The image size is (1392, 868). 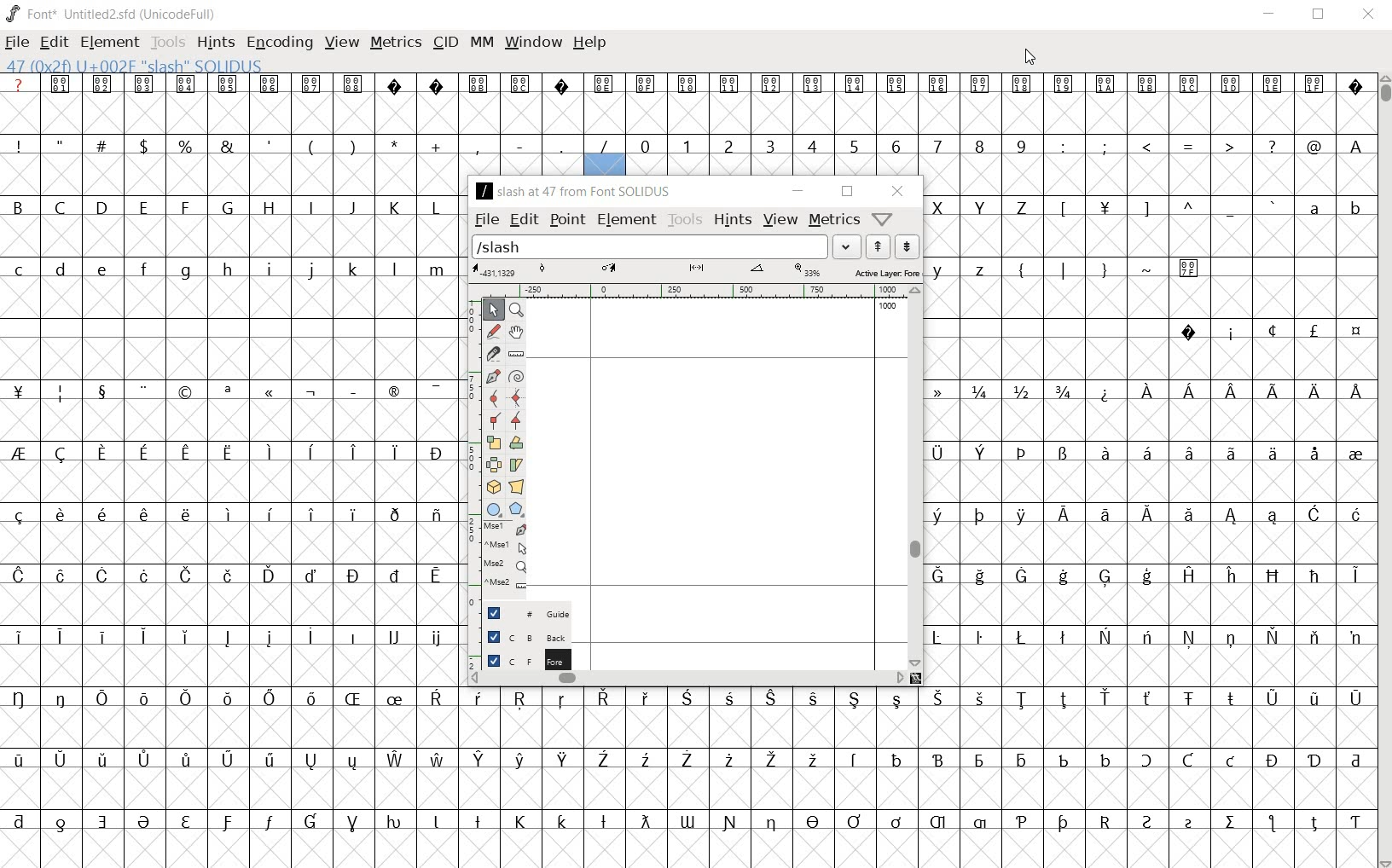 What do you see at coordinates (1331, 205) in the screenshot?
I see `a b` at bounding box center [1331, 205].